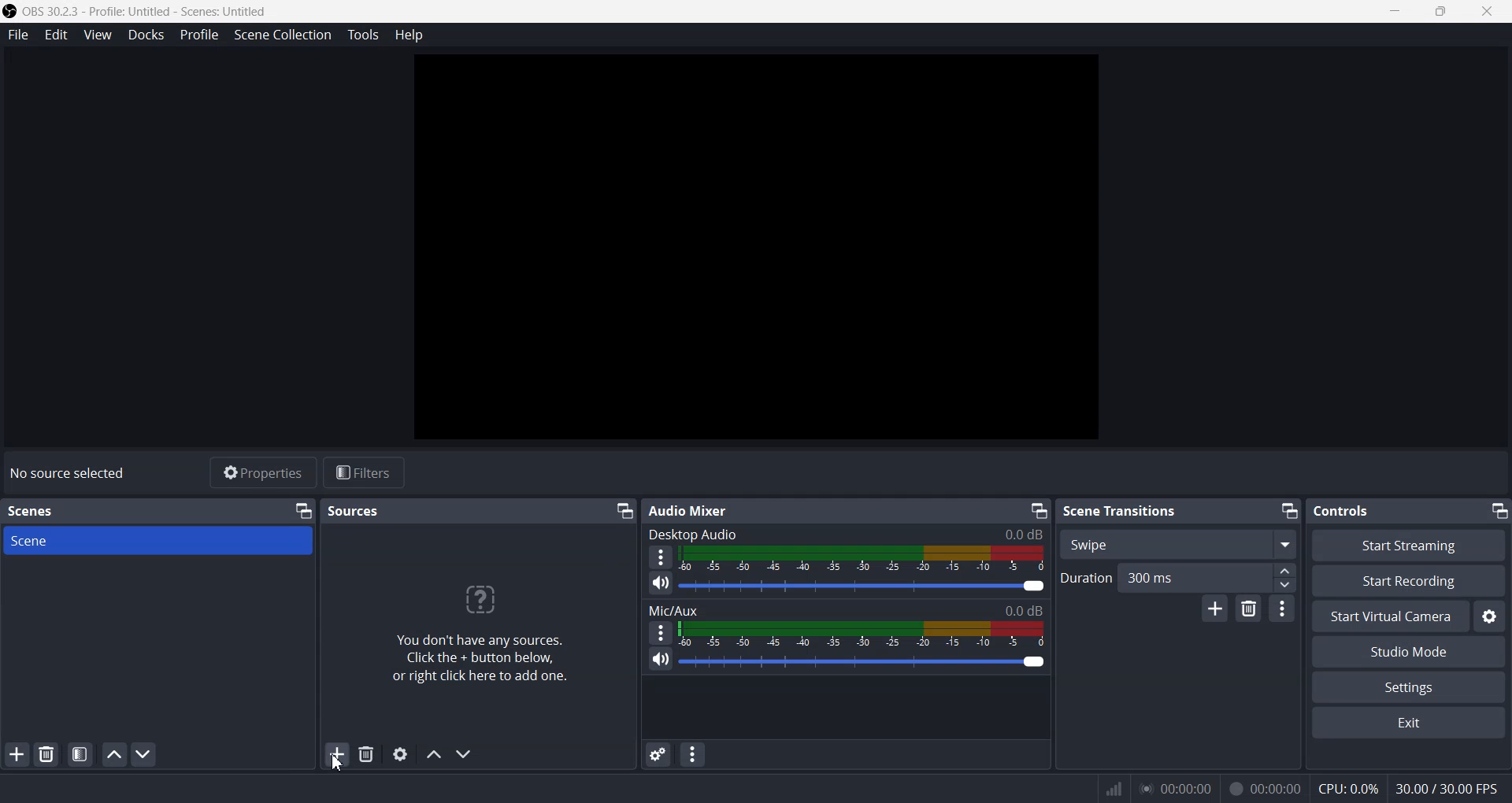 The width and height of the screenshot is (1512, 803). I want to click on Minimize, so click(624, 511).